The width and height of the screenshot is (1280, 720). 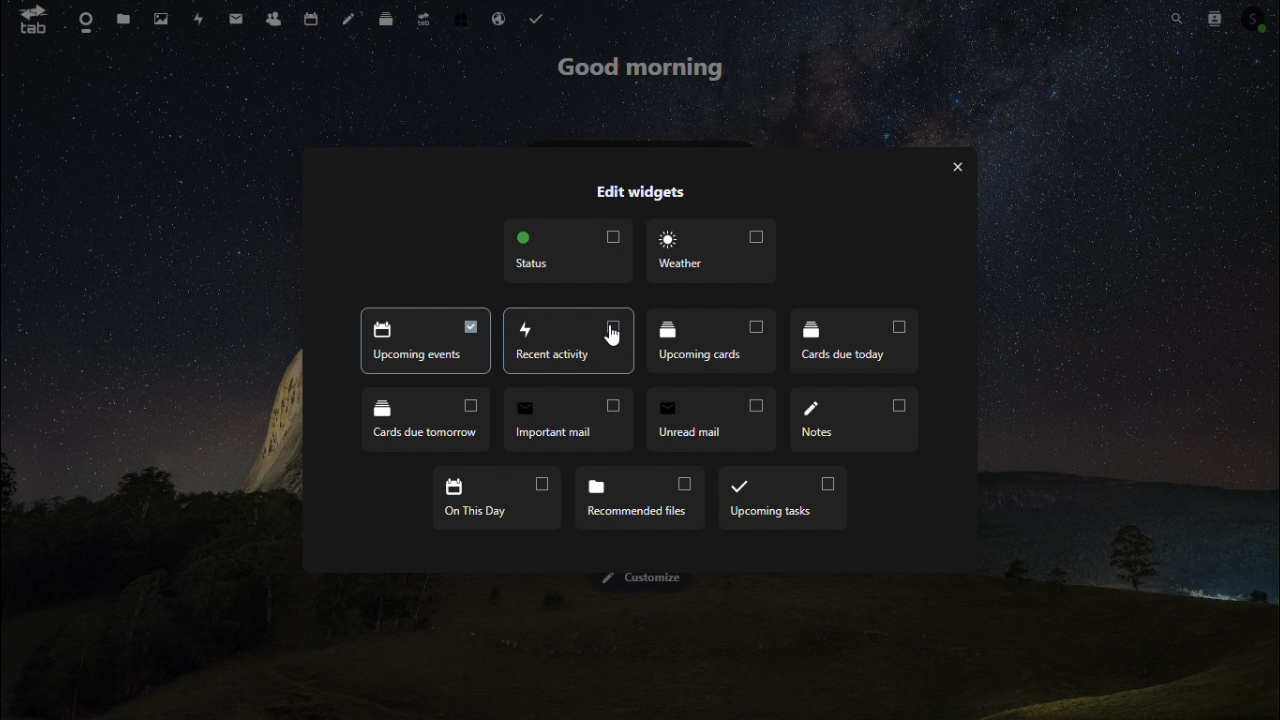 I want to click on Contacts, so click(x=278, y=15).